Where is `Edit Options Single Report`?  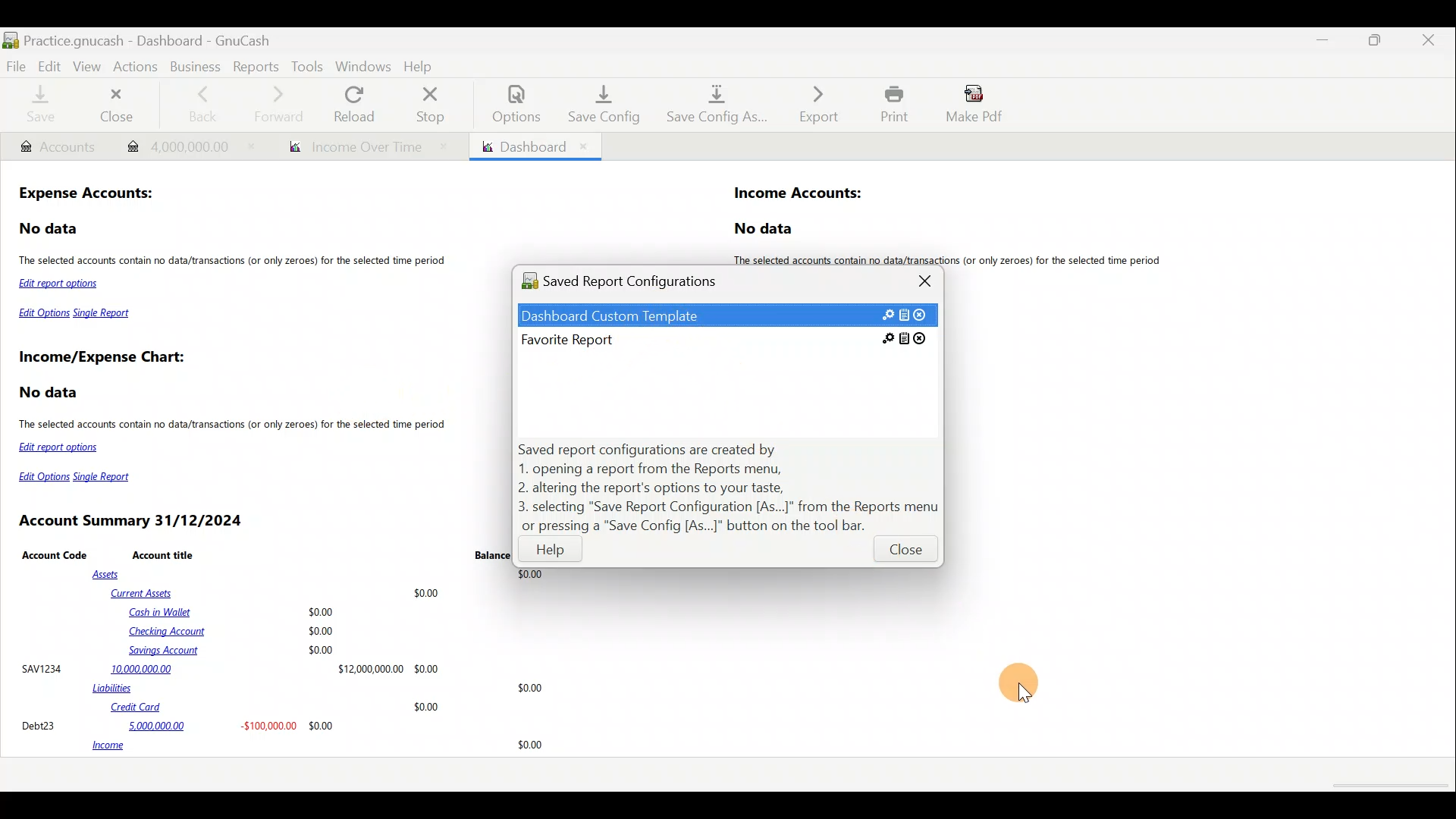 Edit Options Single Report is located at coordinates (76, 316).